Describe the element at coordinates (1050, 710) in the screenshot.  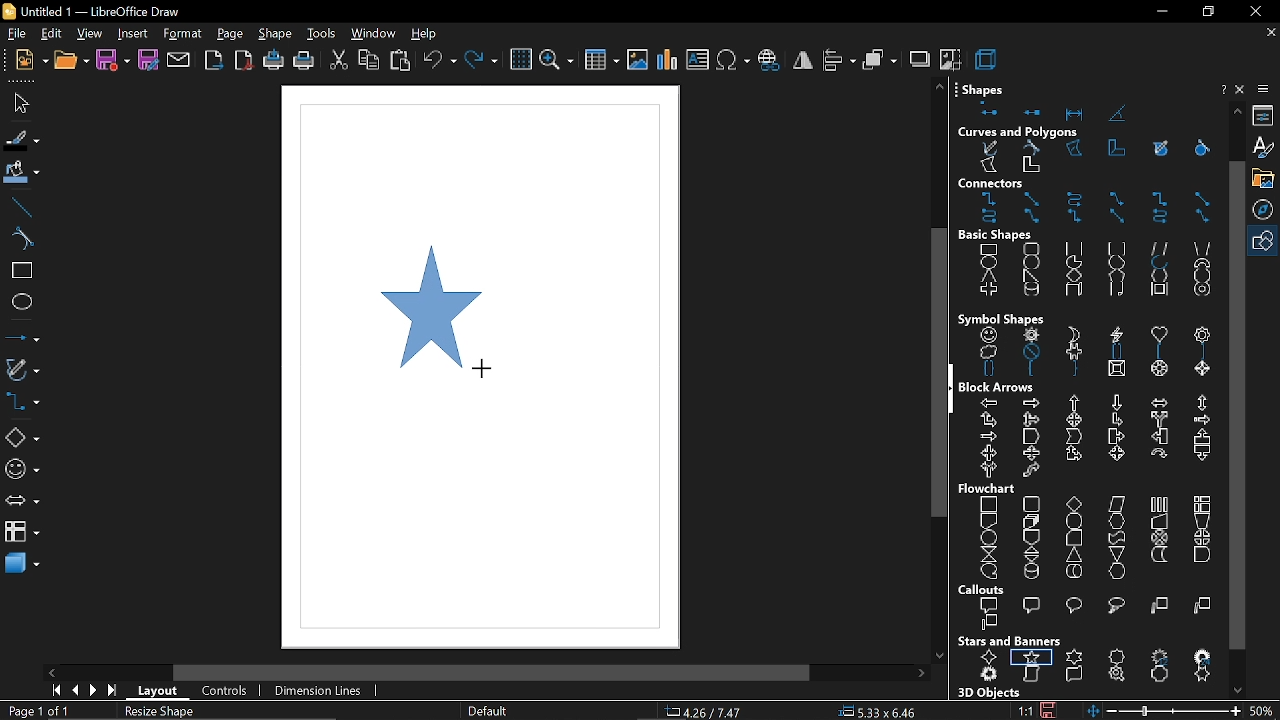
I see `save` at that location.